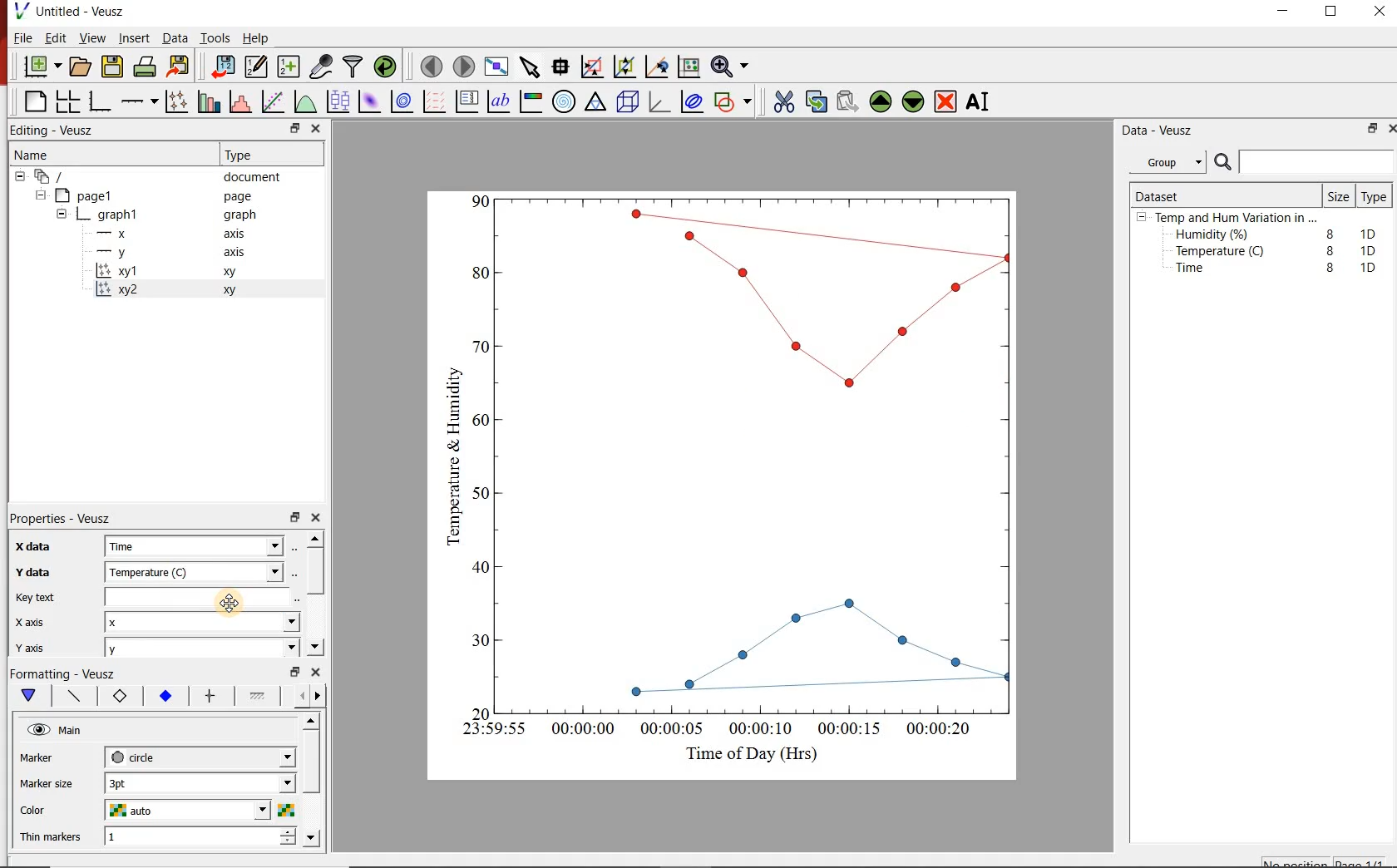 Image resolution: width=1397 pixels, height=868 pixels. What do you see at coordinates (287, 833) in the screenshot?
I see `increase` at bounding box center [287, 833].